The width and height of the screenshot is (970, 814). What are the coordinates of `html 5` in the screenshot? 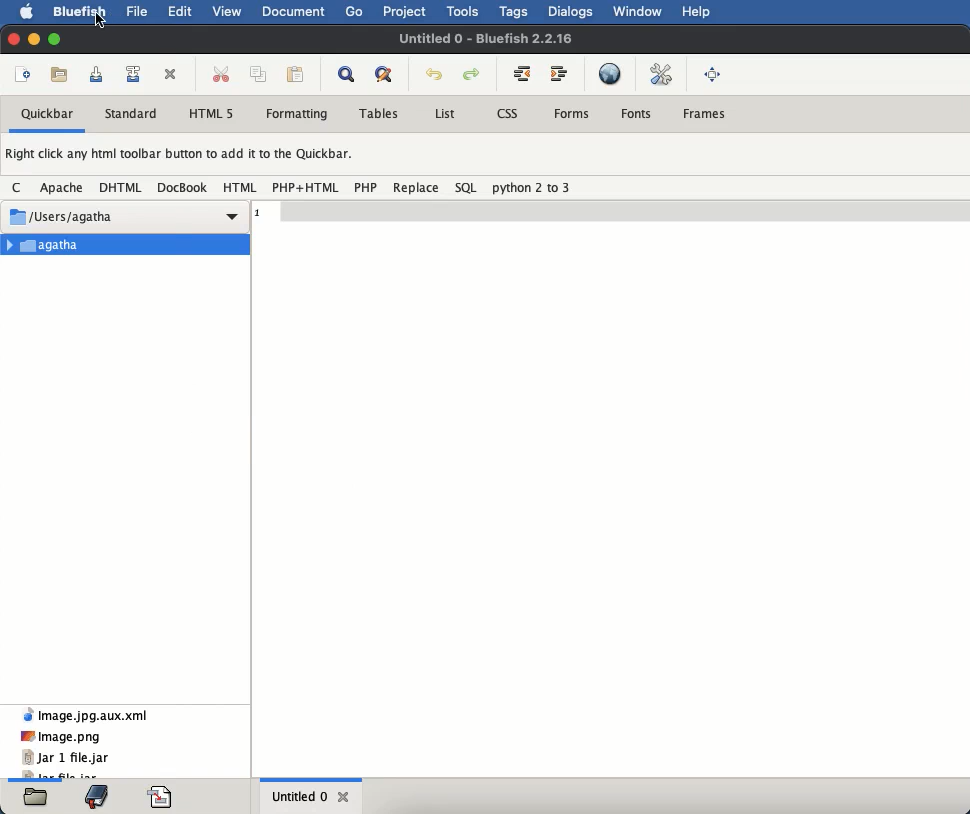 It's located at (212, 114).